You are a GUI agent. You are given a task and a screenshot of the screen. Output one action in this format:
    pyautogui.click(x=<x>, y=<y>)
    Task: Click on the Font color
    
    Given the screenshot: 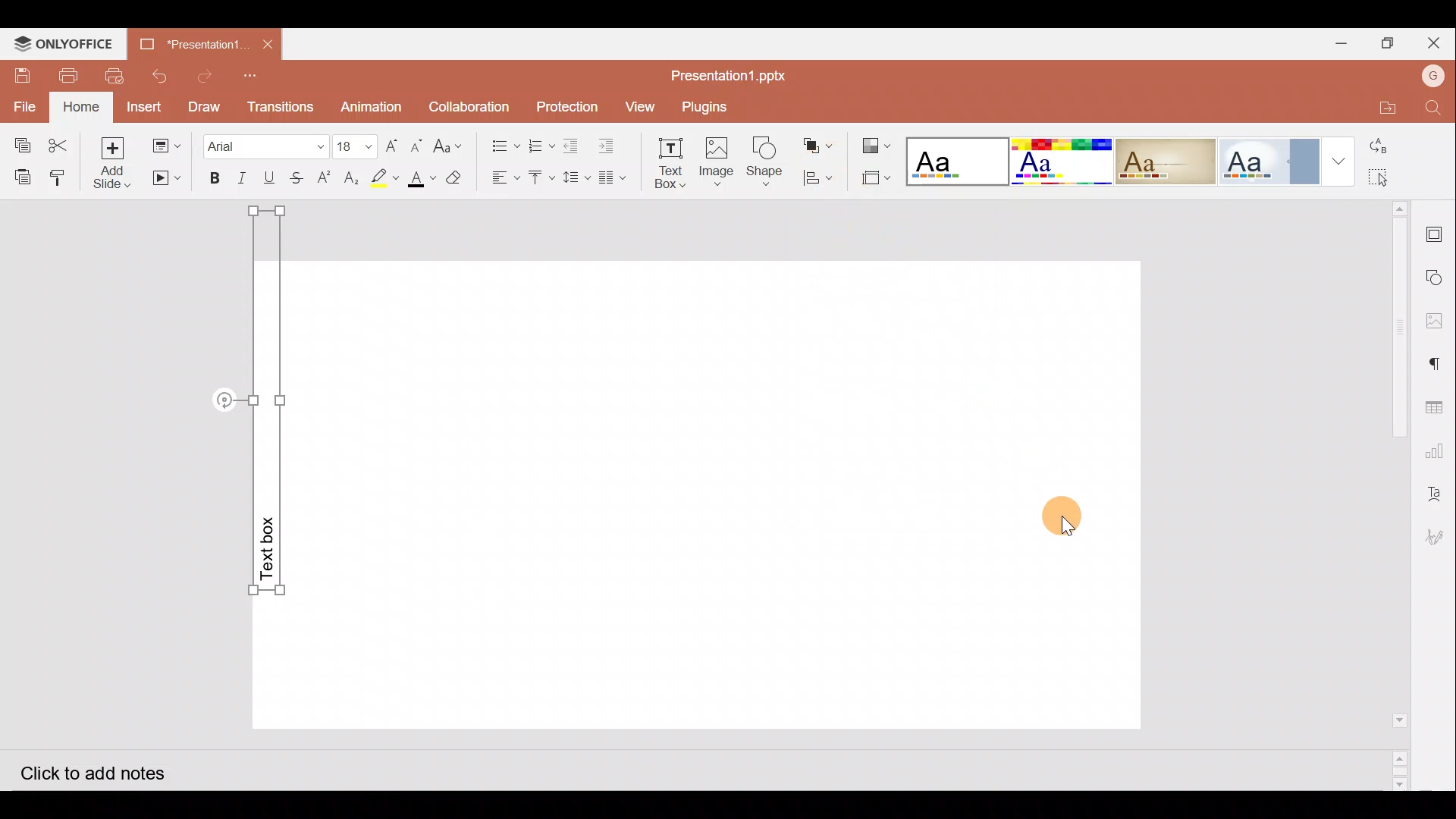 What is the action you would take?
    pyautogui.click(x=419, y=179)
    